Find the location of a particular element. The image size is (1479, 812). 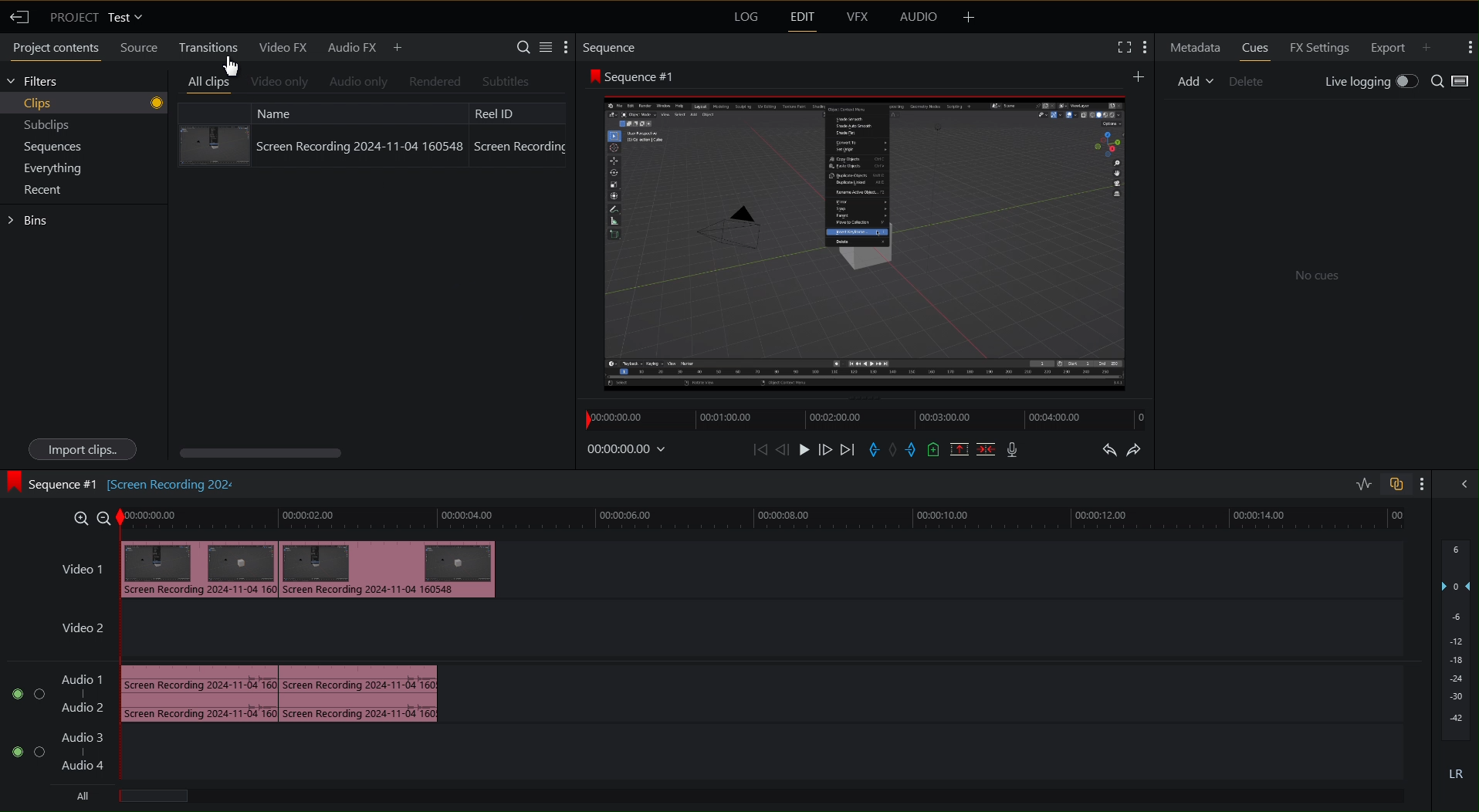

Skip Back is located at coordinates (760, 450).